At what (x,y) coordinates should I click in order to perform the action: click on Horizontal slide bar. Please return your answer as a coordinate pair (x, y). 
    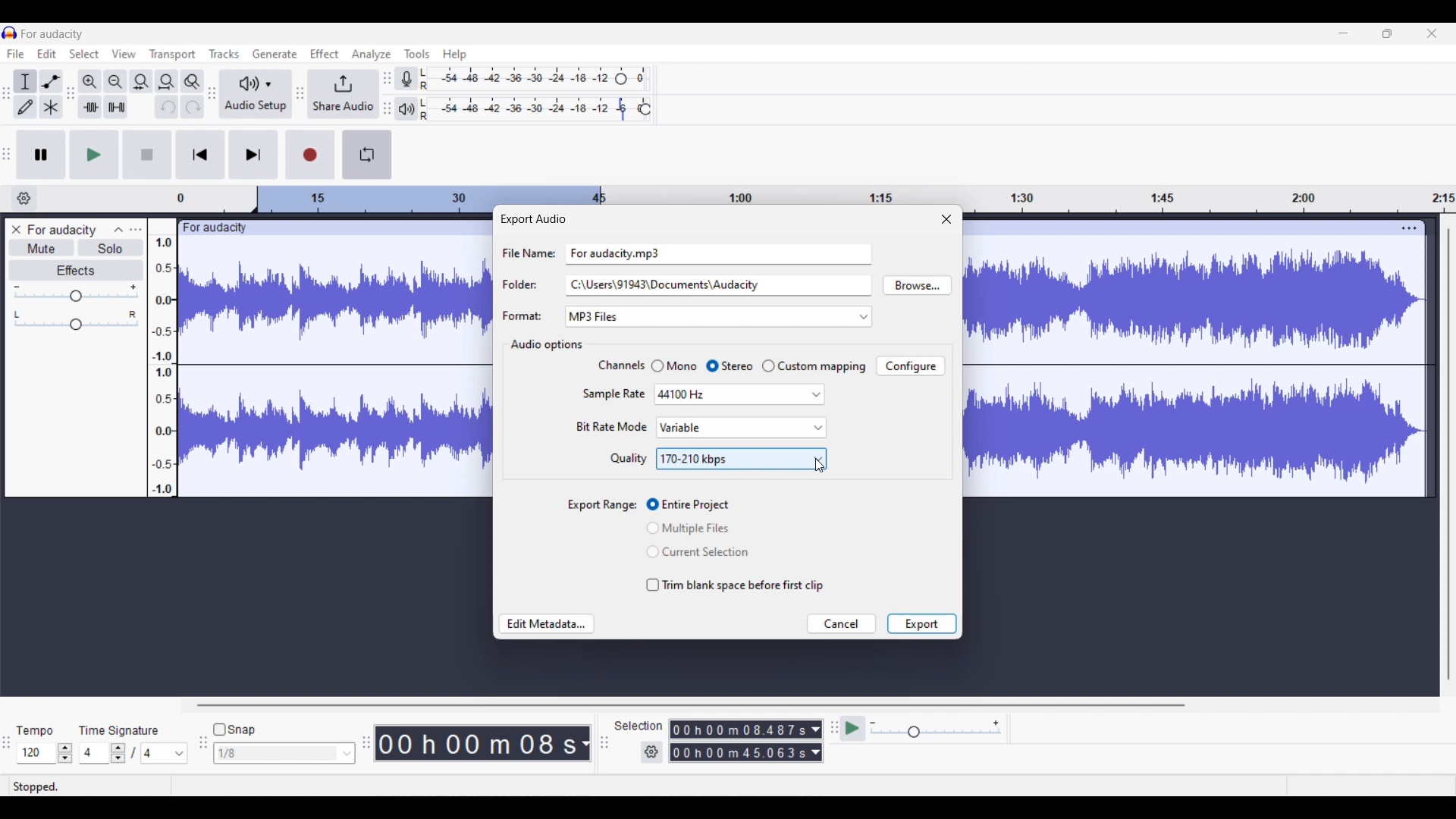
    Looking at the image, I should click on (690, 705).